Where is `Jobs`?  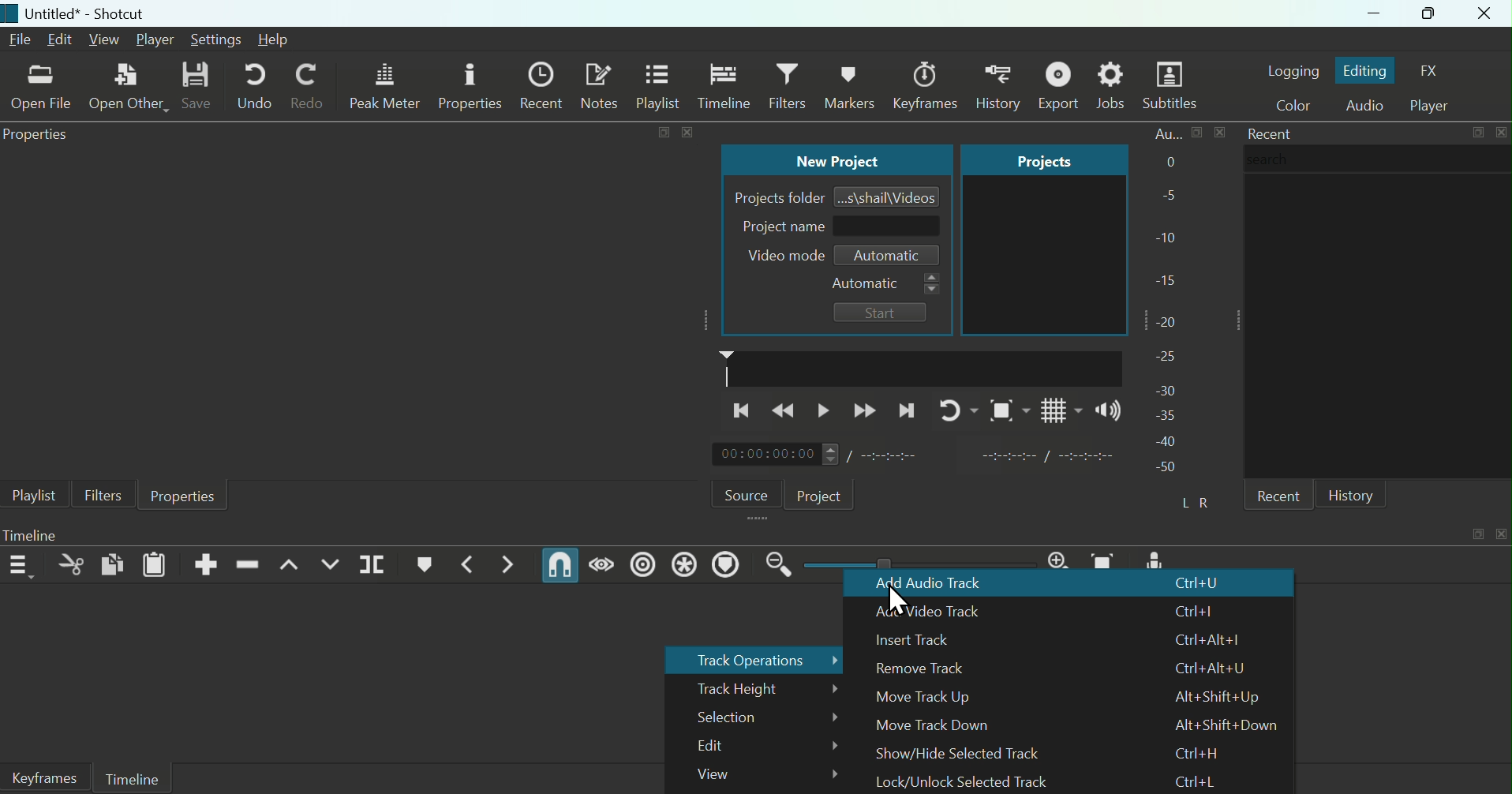 Jobs is located at coordinates (1114, 86).